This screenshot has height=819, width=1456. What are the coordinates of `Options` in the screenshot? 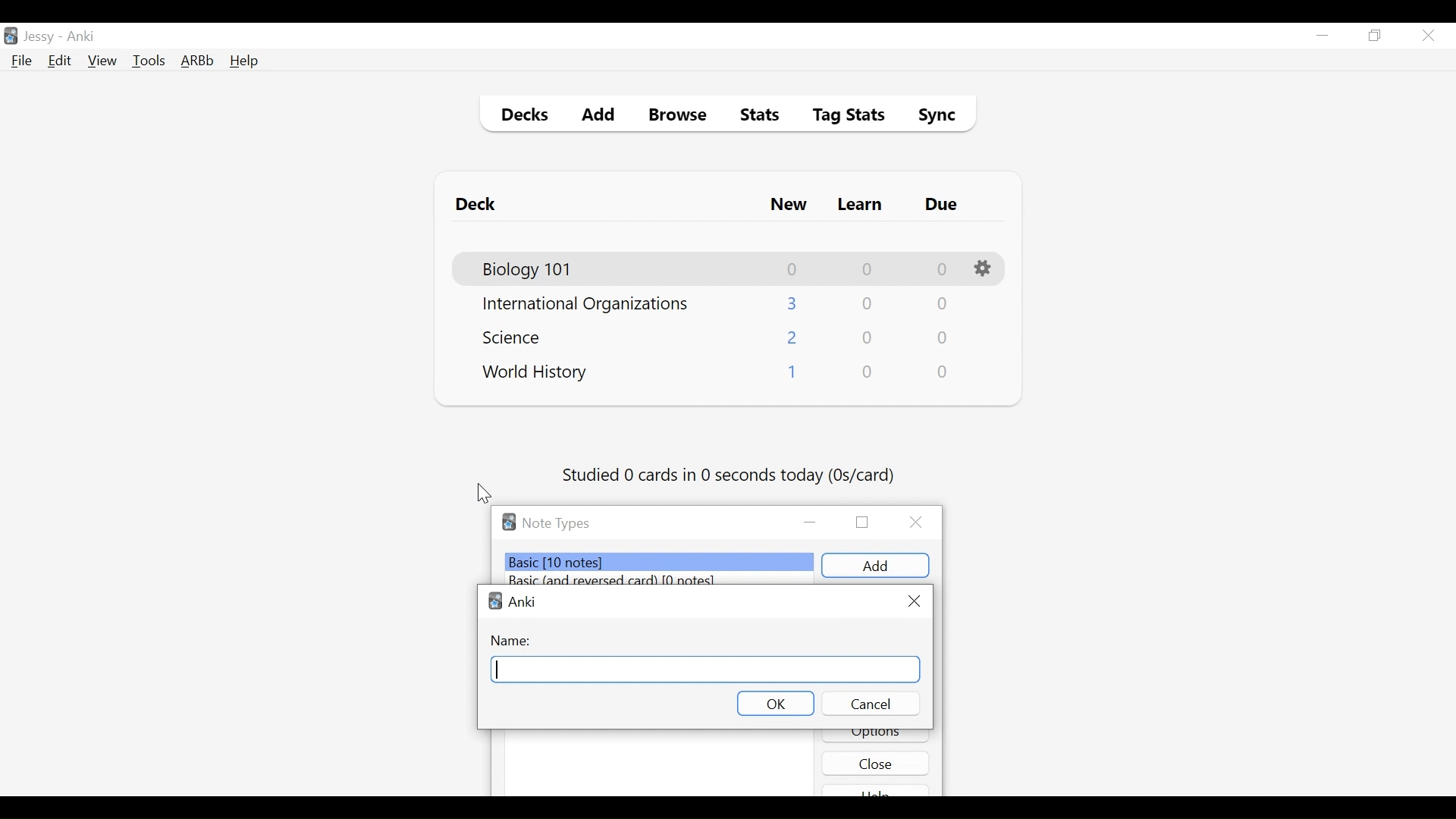 It's located at (985, 269).